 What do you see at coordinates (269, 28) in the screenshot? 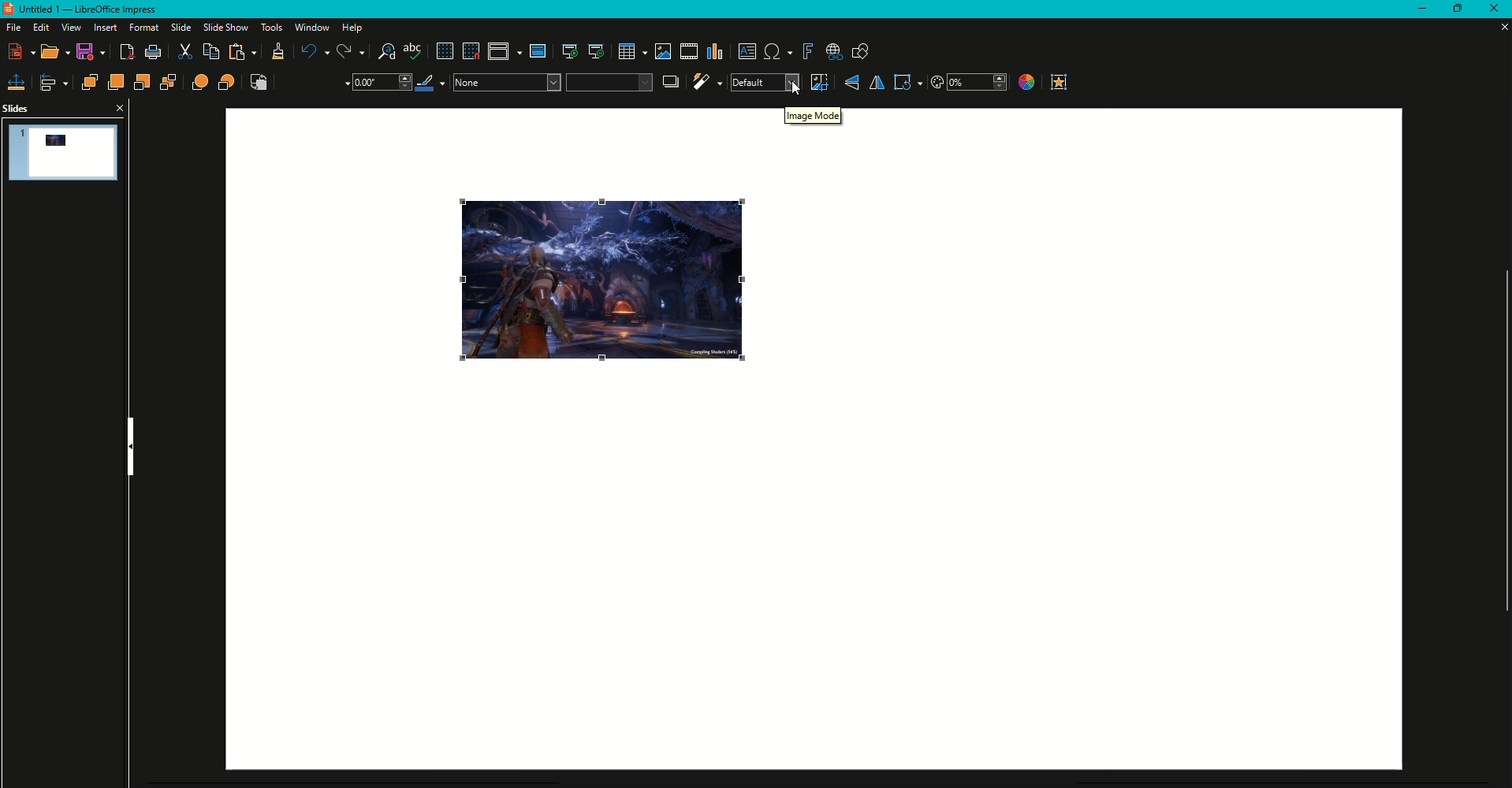
I see `Tools` at bounding box center [269, 28].